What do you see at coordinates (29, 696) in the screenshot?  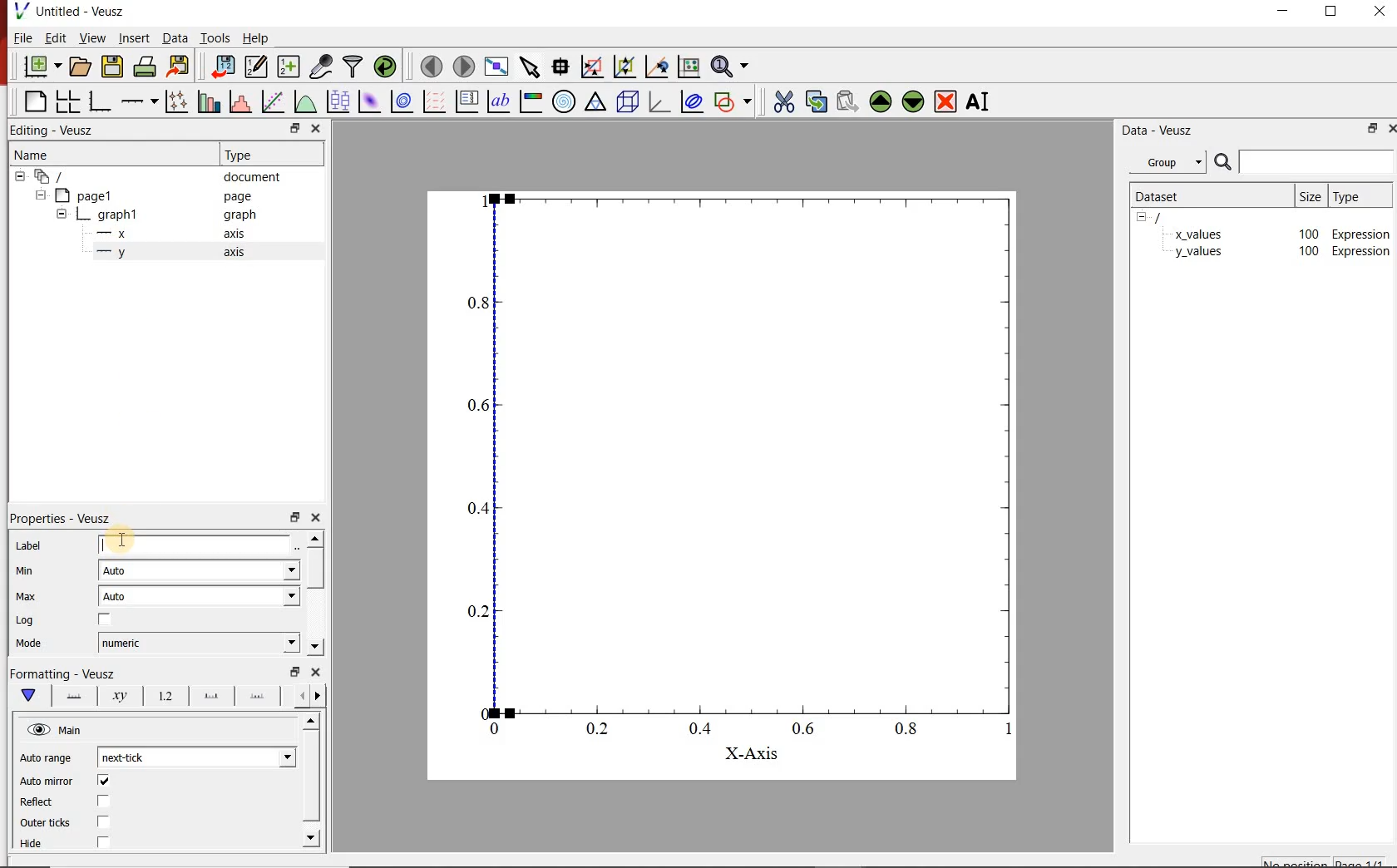 I see `main formatting` at bounding box center [29, 696].